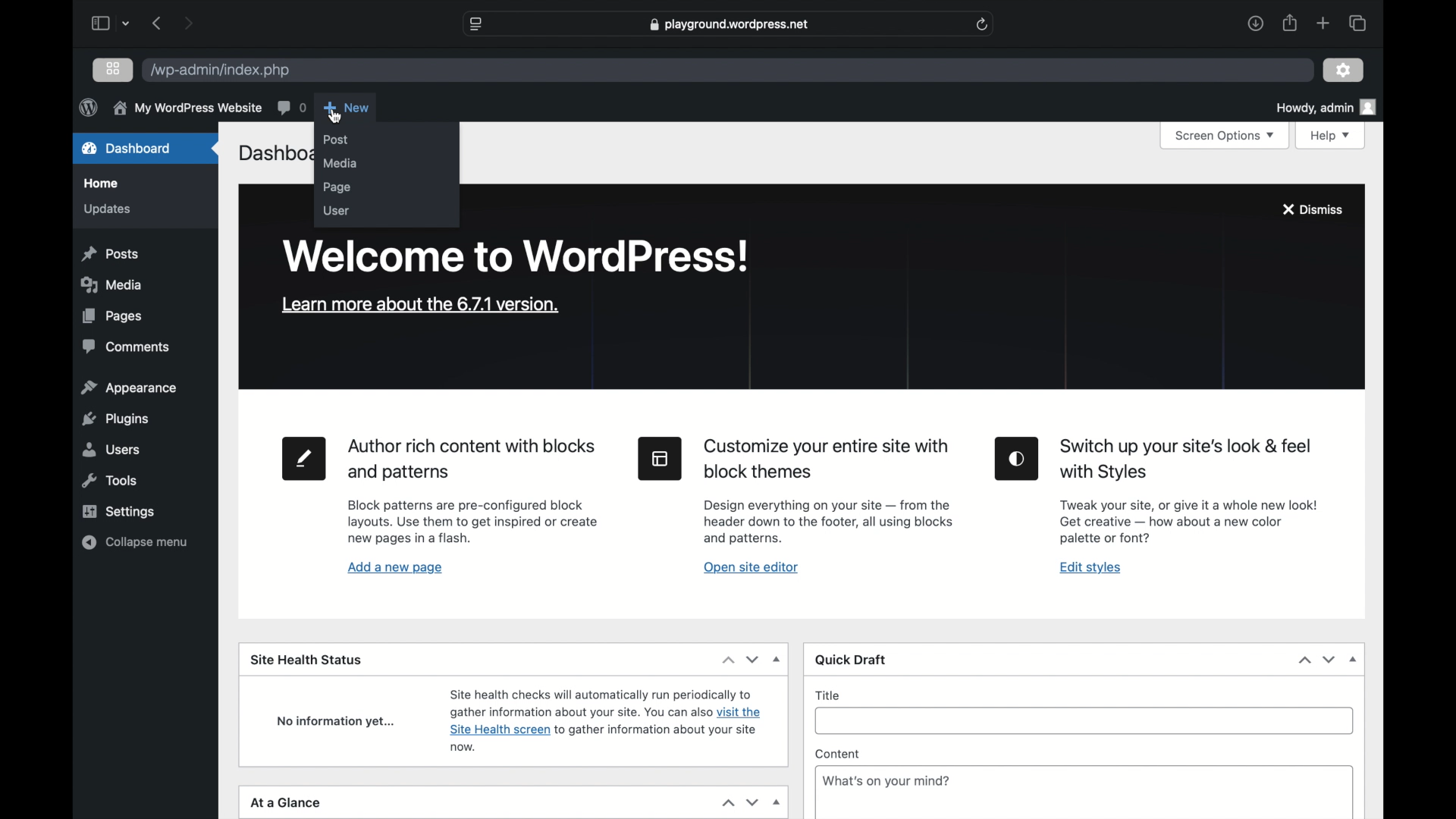 This screenshot has width=1456, height=819. What do you see at coordinates (476, 24) in the screenshot?
I see `website settings` at bounding box center [476, 24].